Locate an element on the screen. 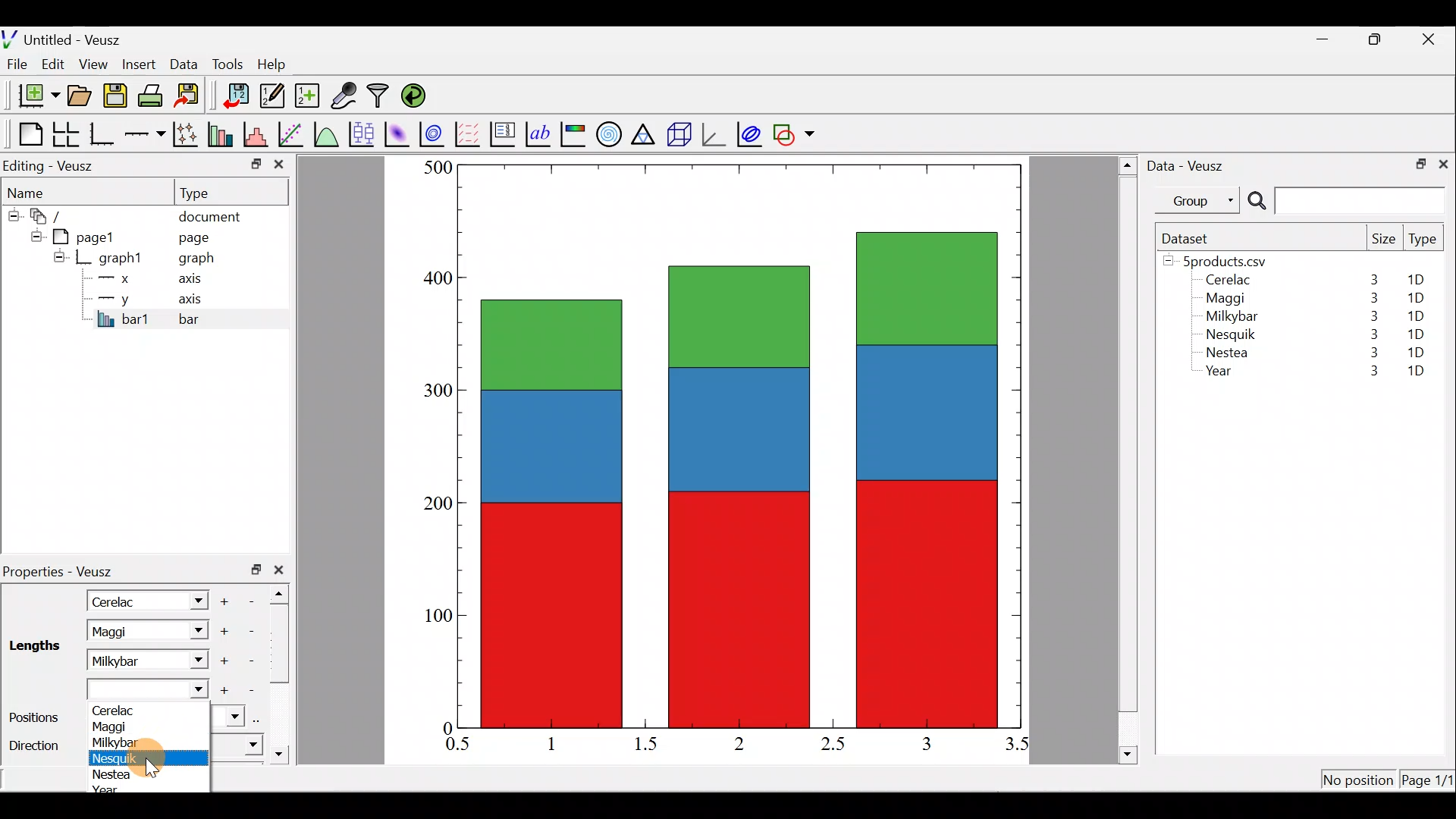 The height and width of the screenshot is (819, 1456). direction dropdown is located at coordinates (237, 745).